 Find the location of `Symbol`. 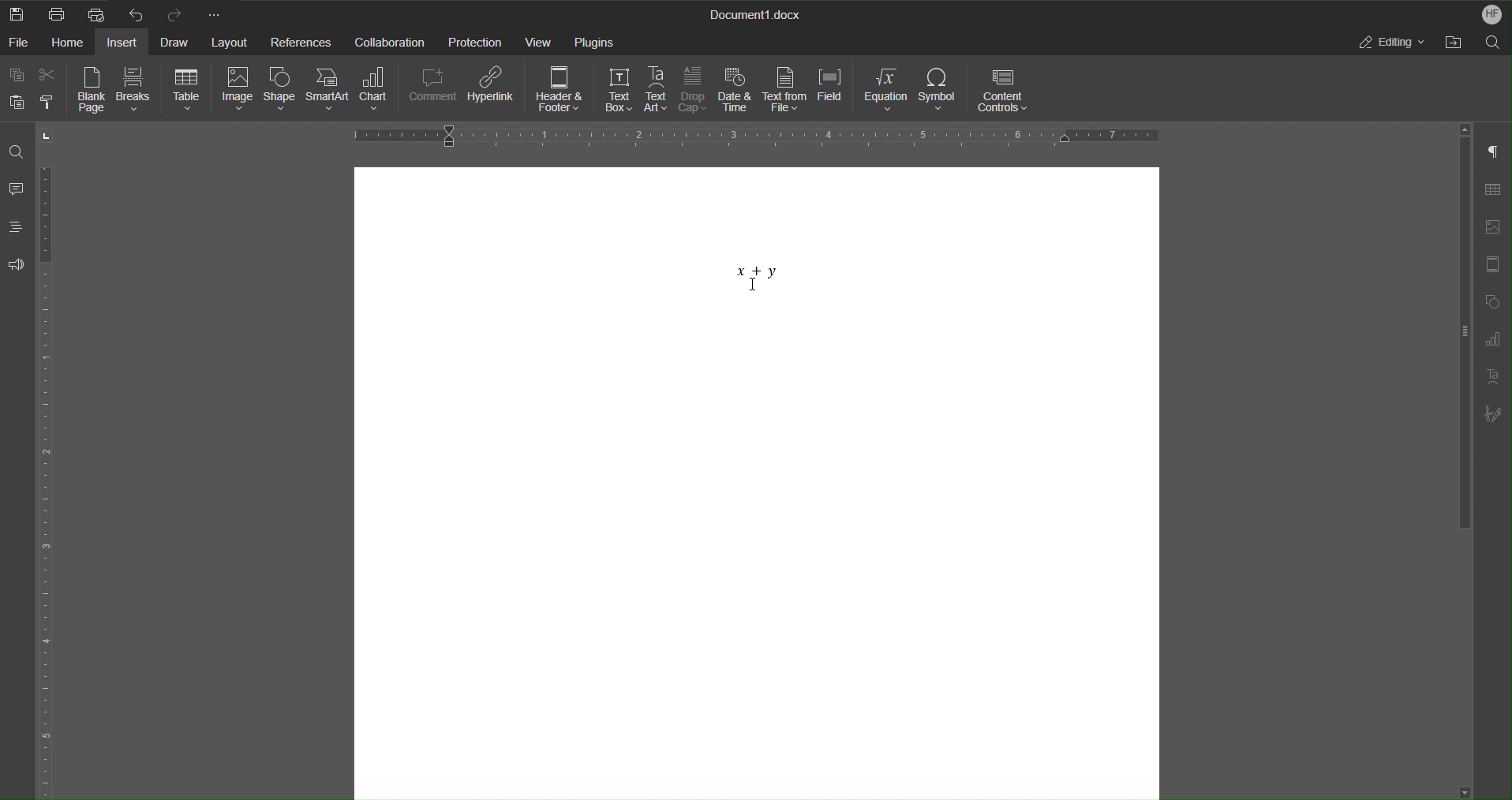

Symbol is located at coordinates (939, 90).